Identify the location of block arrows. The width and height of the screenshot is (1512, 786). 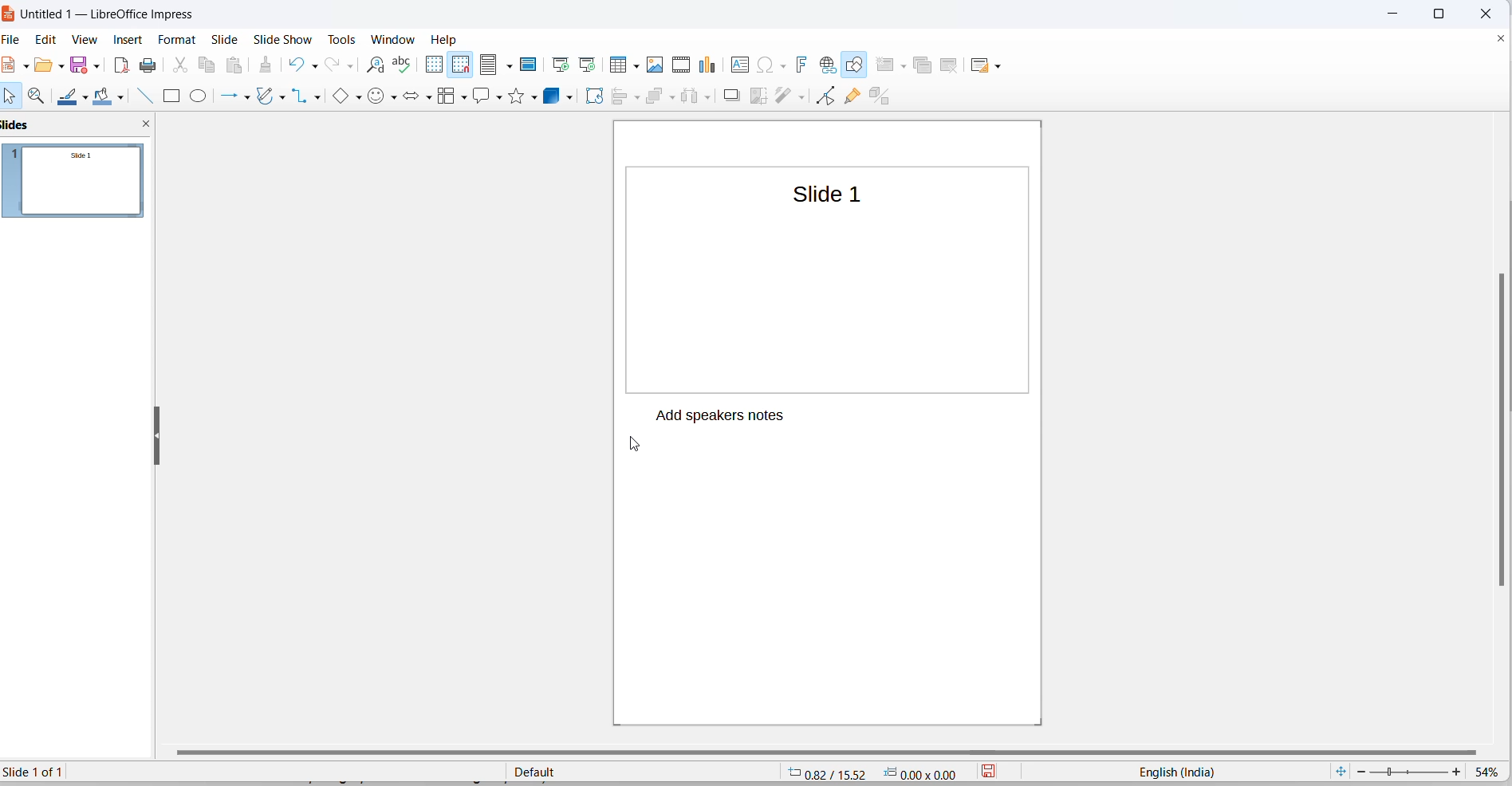
(413, 98).